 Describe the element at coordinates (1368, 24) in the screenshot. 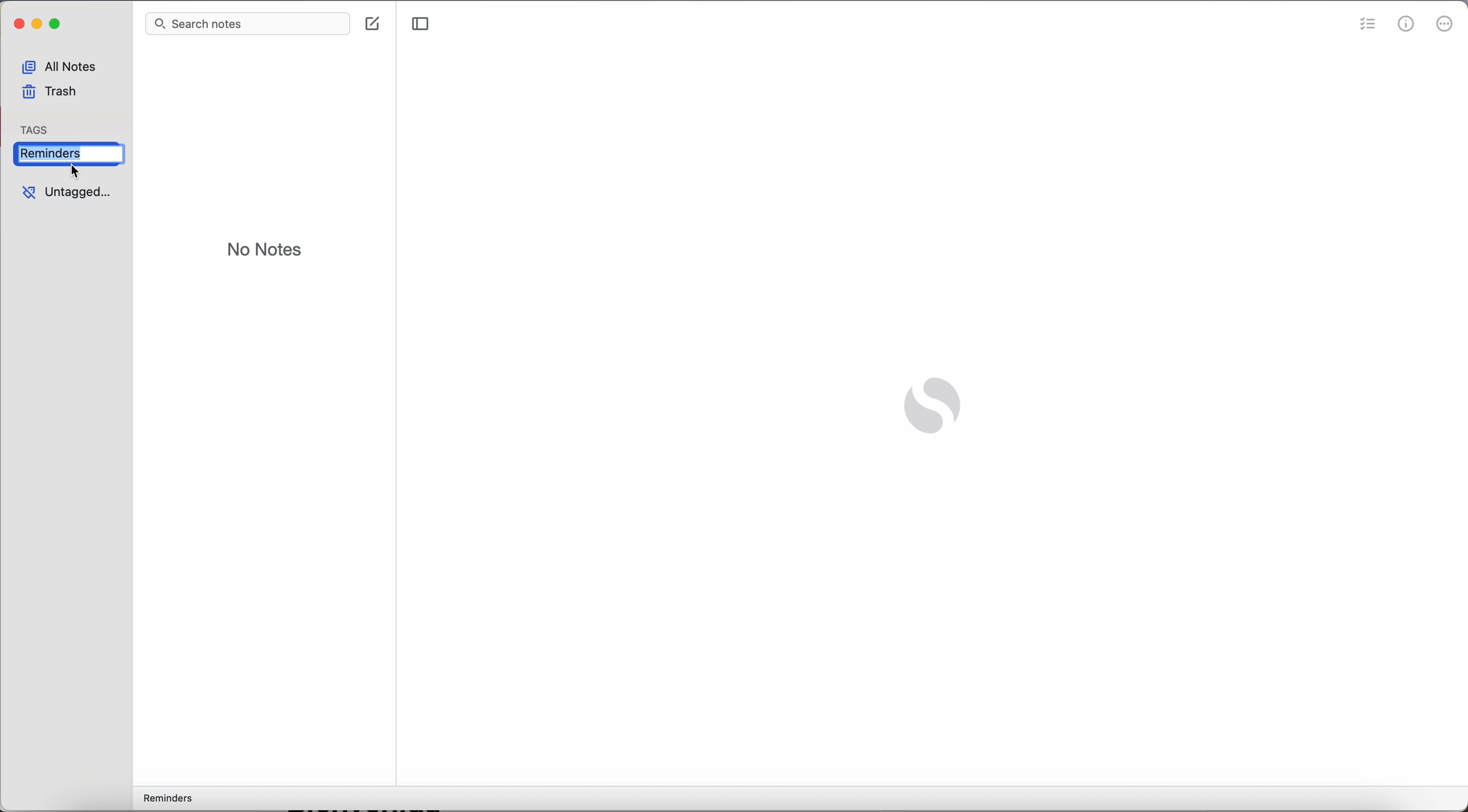

I see `check list` at that location.